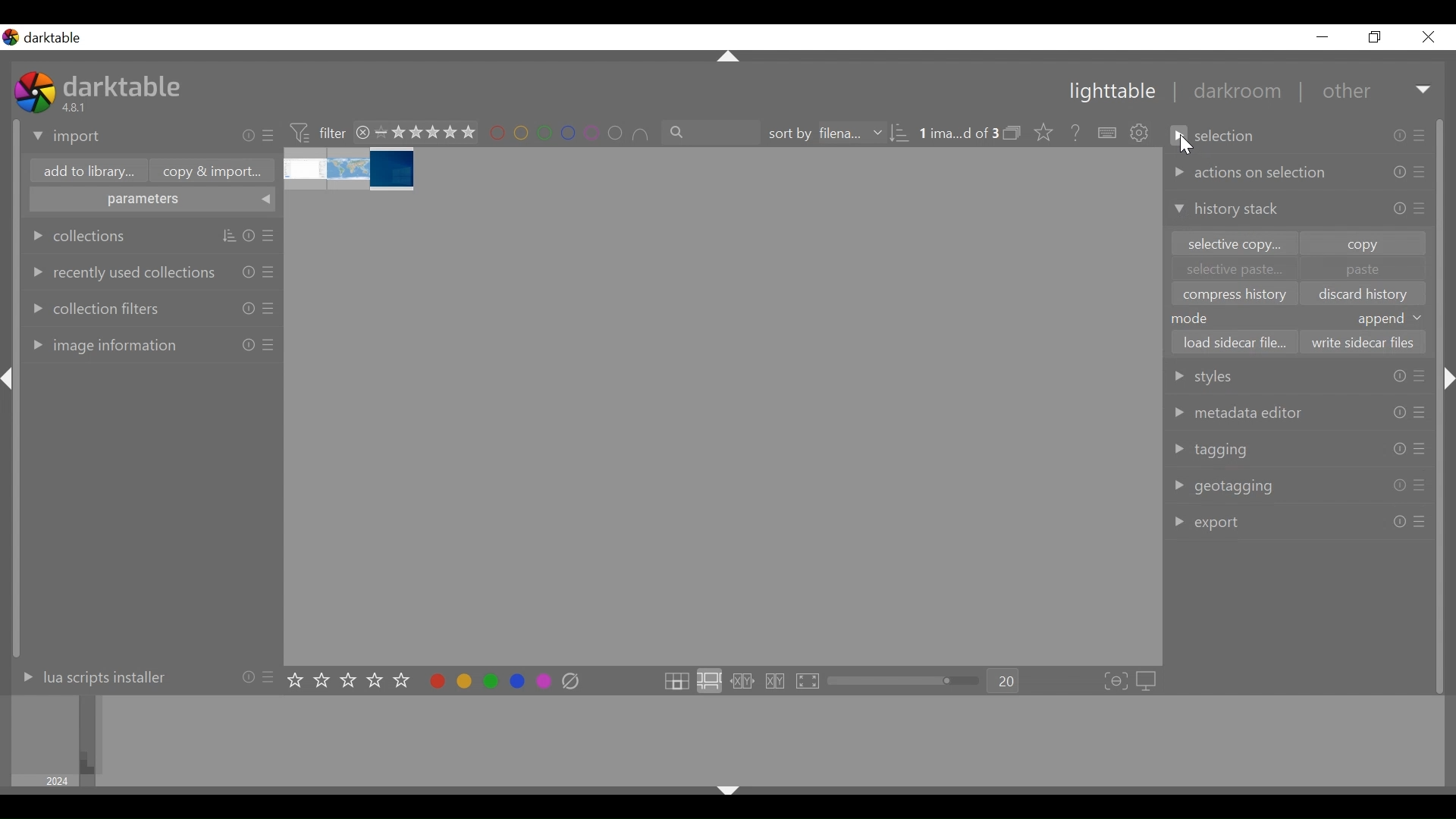 Image resolution: width=1456 pixels, height=819 pixels. Describe the element at coordinates (904, 681) in the screenshot. I see `zoom` at that location.